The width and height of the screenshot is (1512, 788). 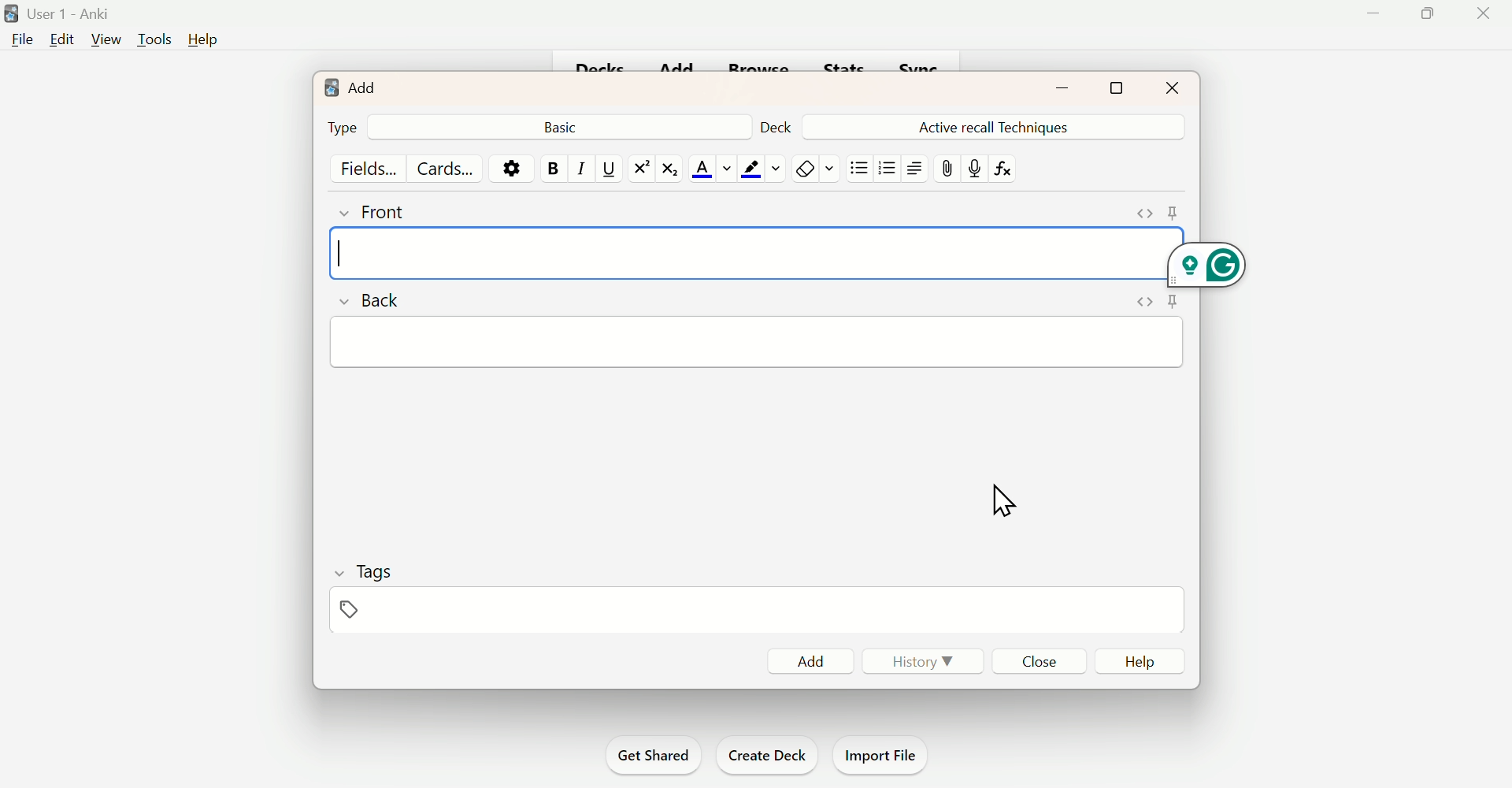 I want to click on Back, so click(x=562, y=125).